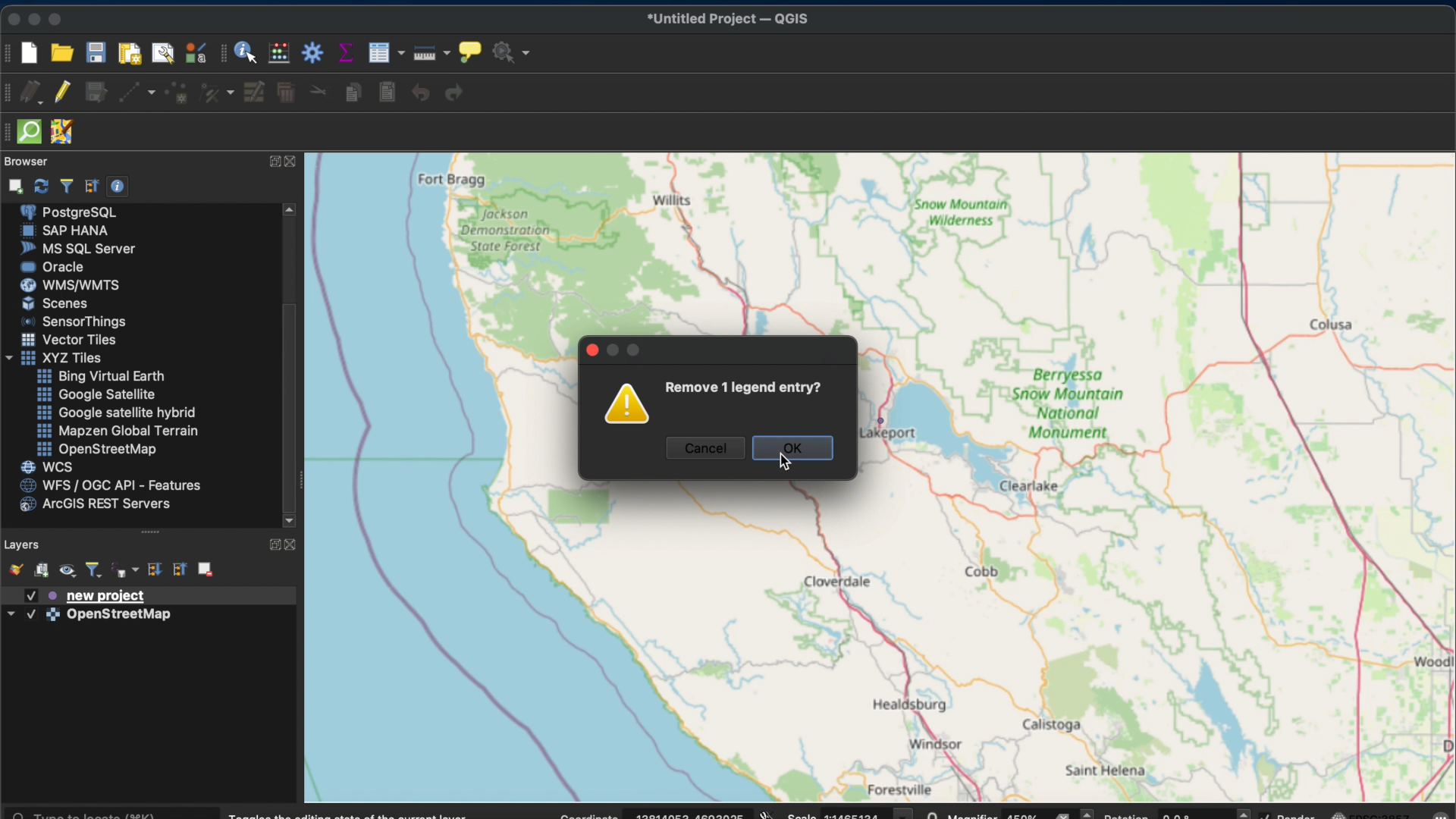  Describe the element at coordinates (95, 571) in the screenshot. I see `filter legend` at that location.